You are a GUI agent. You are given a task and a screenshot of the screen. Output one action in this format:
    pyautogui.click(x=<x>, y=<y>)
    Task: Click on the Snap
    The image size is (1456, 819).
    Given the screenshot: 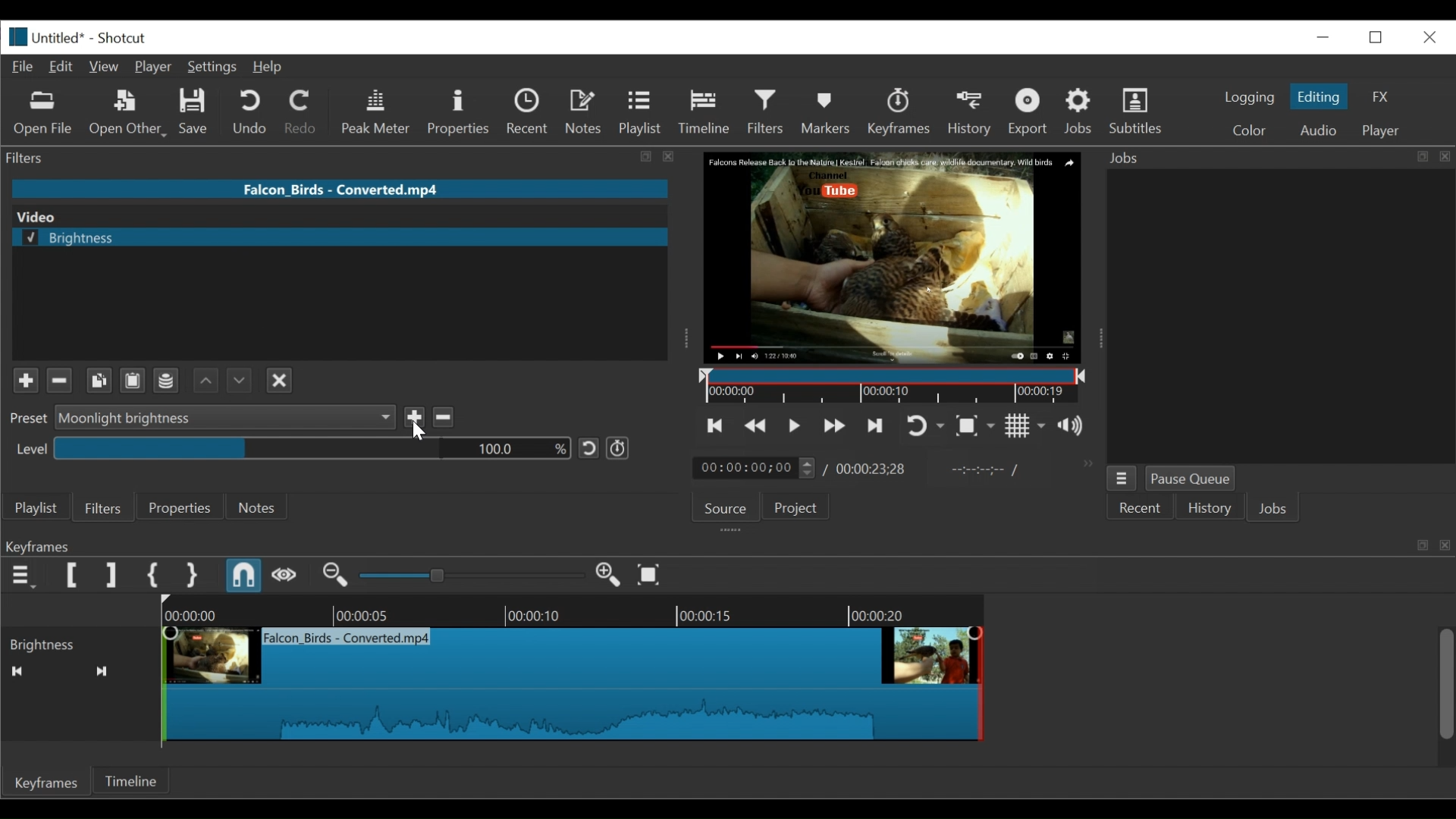 What is the action you would take?
    pyautogui.click(x=245, y=576)
    